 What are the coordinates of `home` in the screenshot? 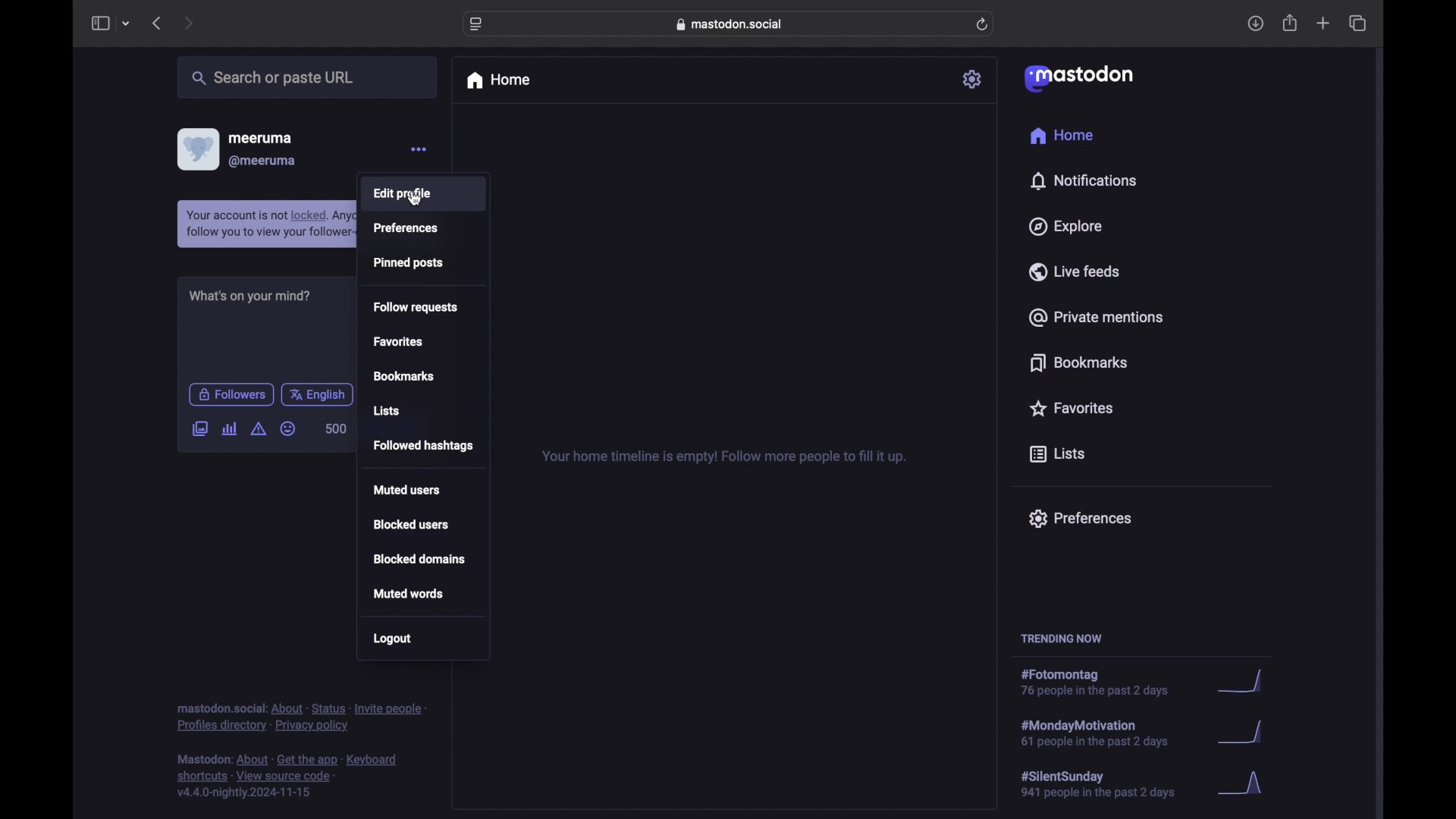 It's located at (499, 80).